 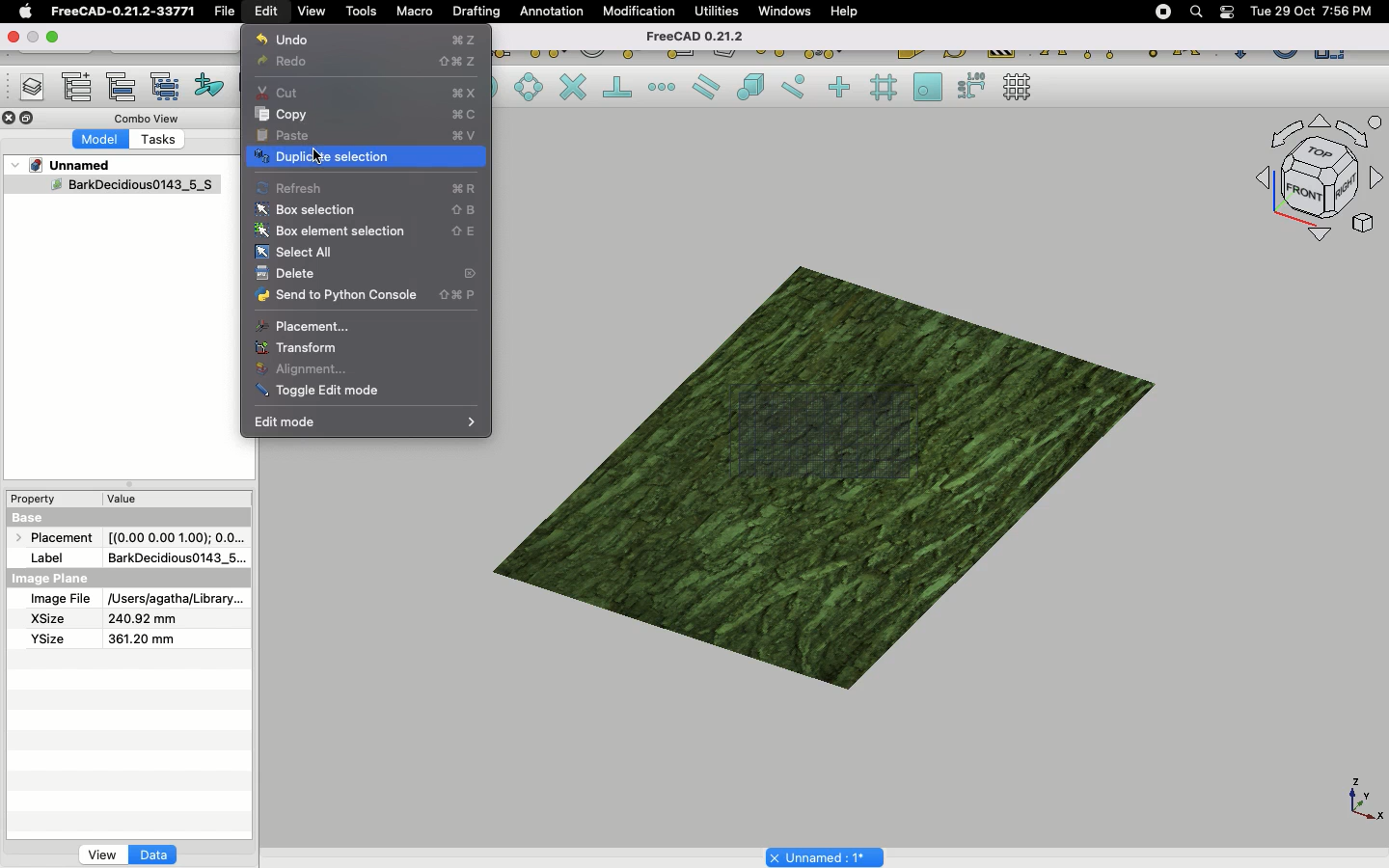 What do you see at coordinates (552, 11) in the screenshot?
I see `Annotation` at bounding box center [552, 11].